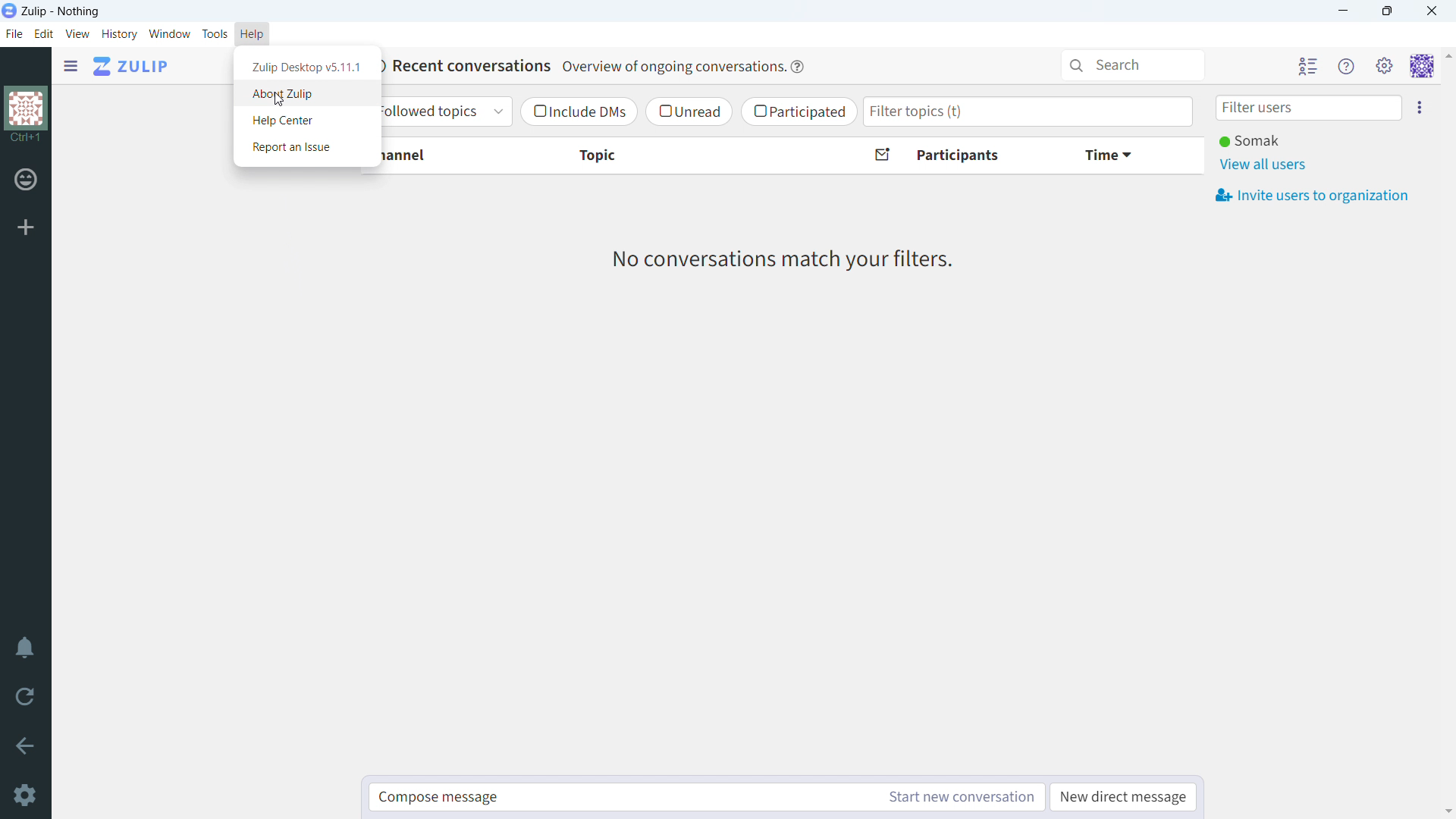  I want to click on tools, so click(215, 33).